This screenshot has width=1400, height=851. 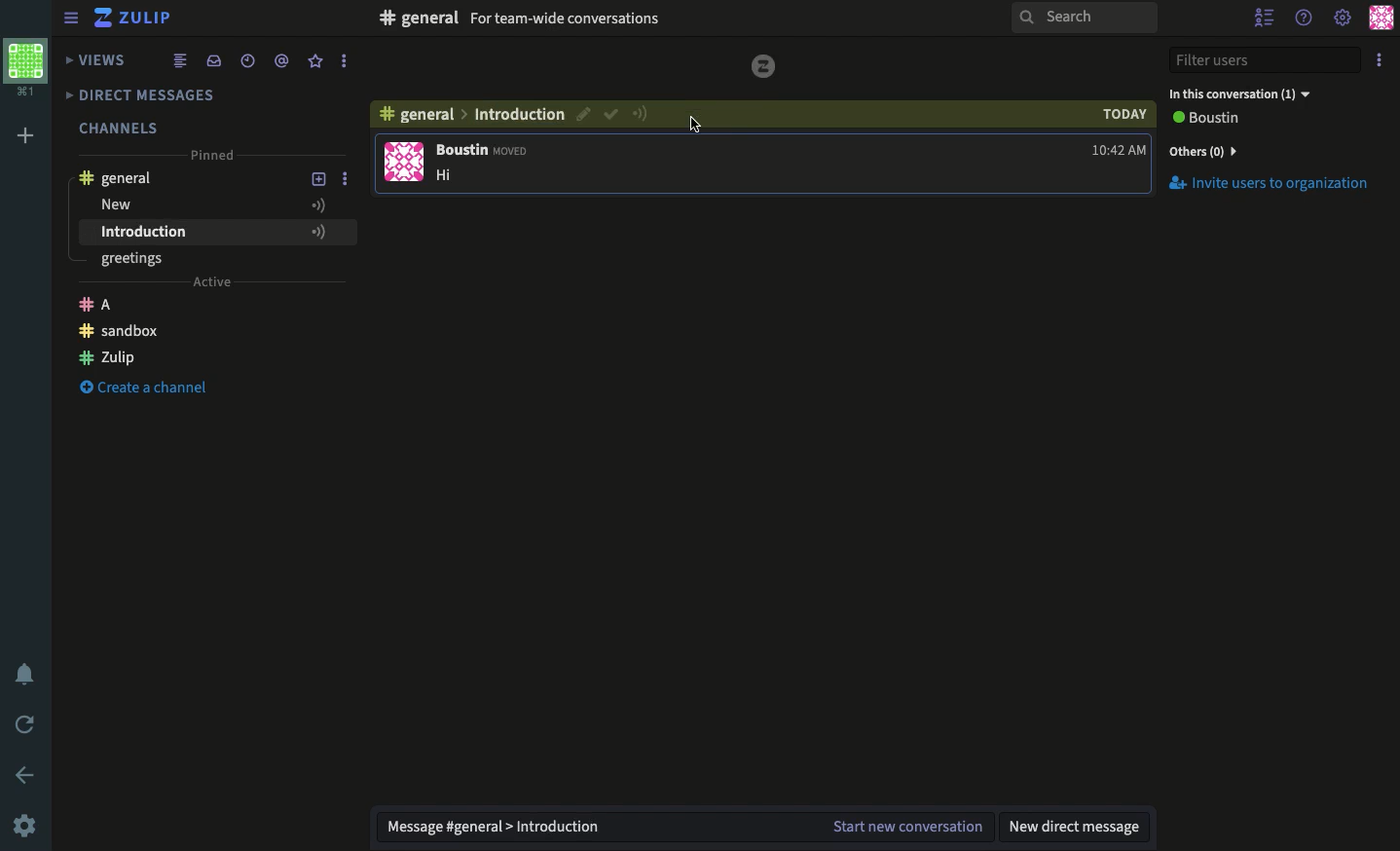 What do you see at coordinates (1266, 58) in the screenshot?
I see `Filter users` at bounding box center [1266, 58].